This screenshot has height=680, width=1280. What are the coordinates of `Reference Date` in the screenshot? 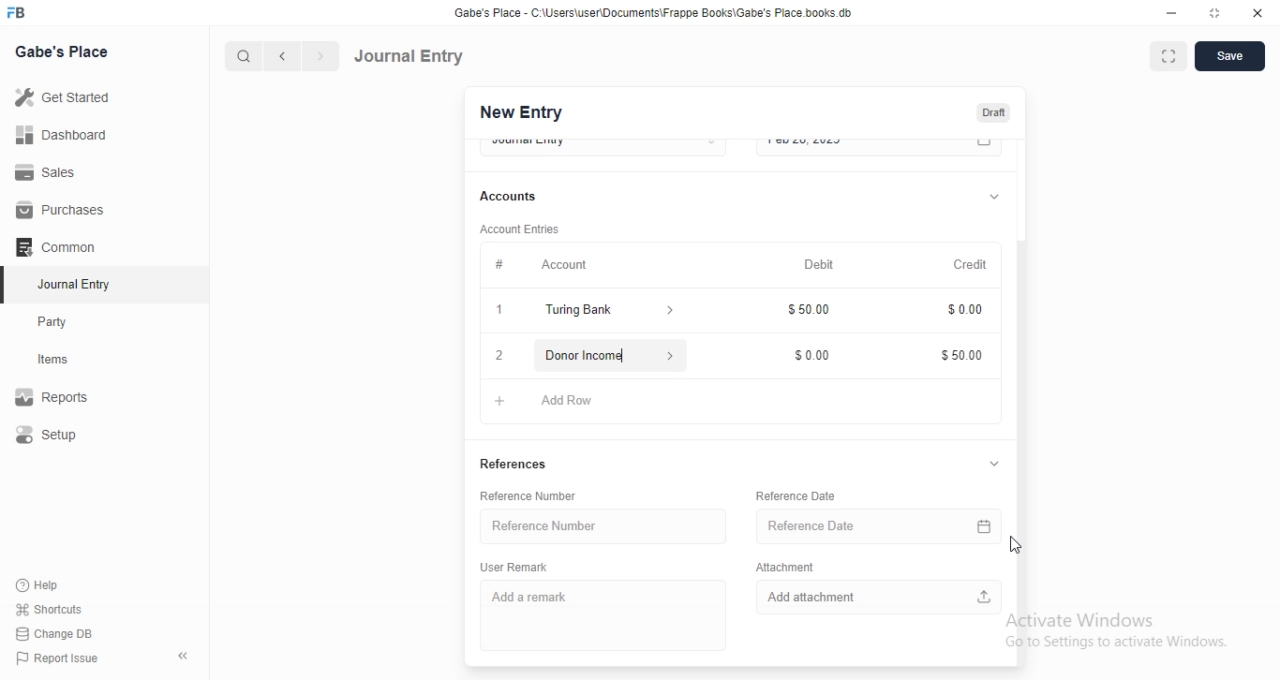 It's located at (796, 495).